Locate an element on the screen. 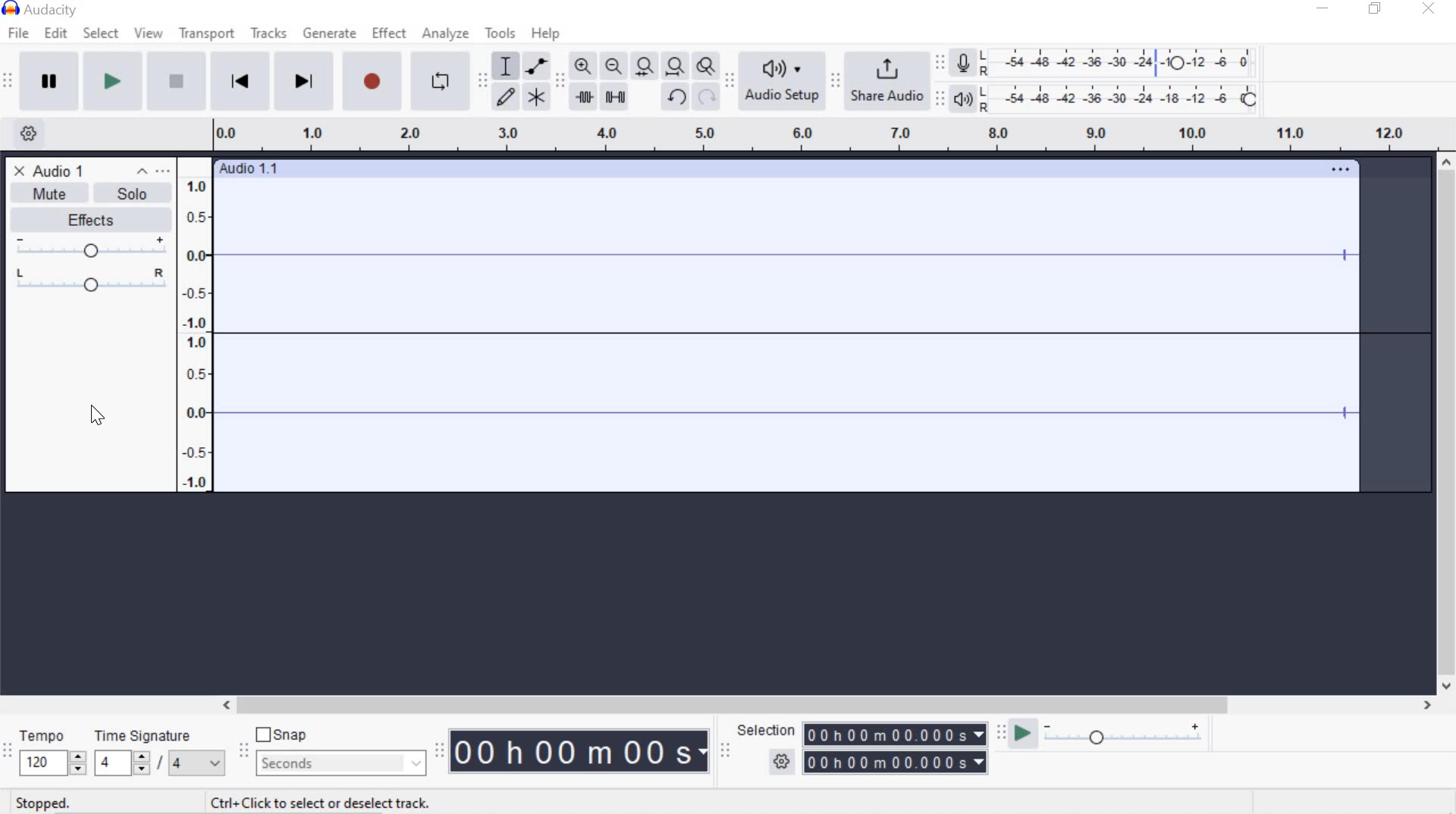 The image size is (1456, 814). snap is located at coordinates (287, 736).